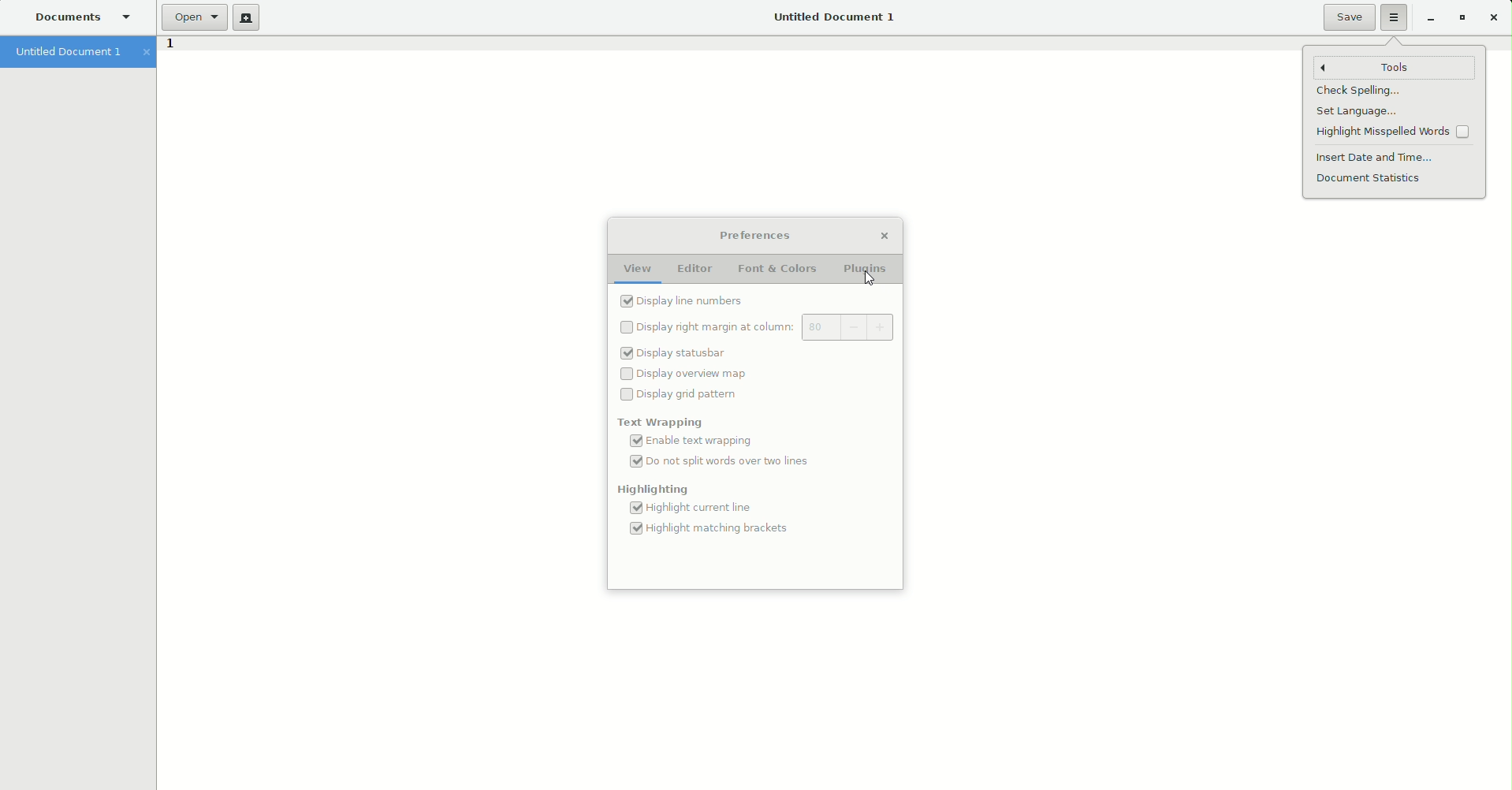 This screenshot has width=1512, height=790. Describe the element at coordinates (843, 326) in the screenshot. I see `-` at that location.